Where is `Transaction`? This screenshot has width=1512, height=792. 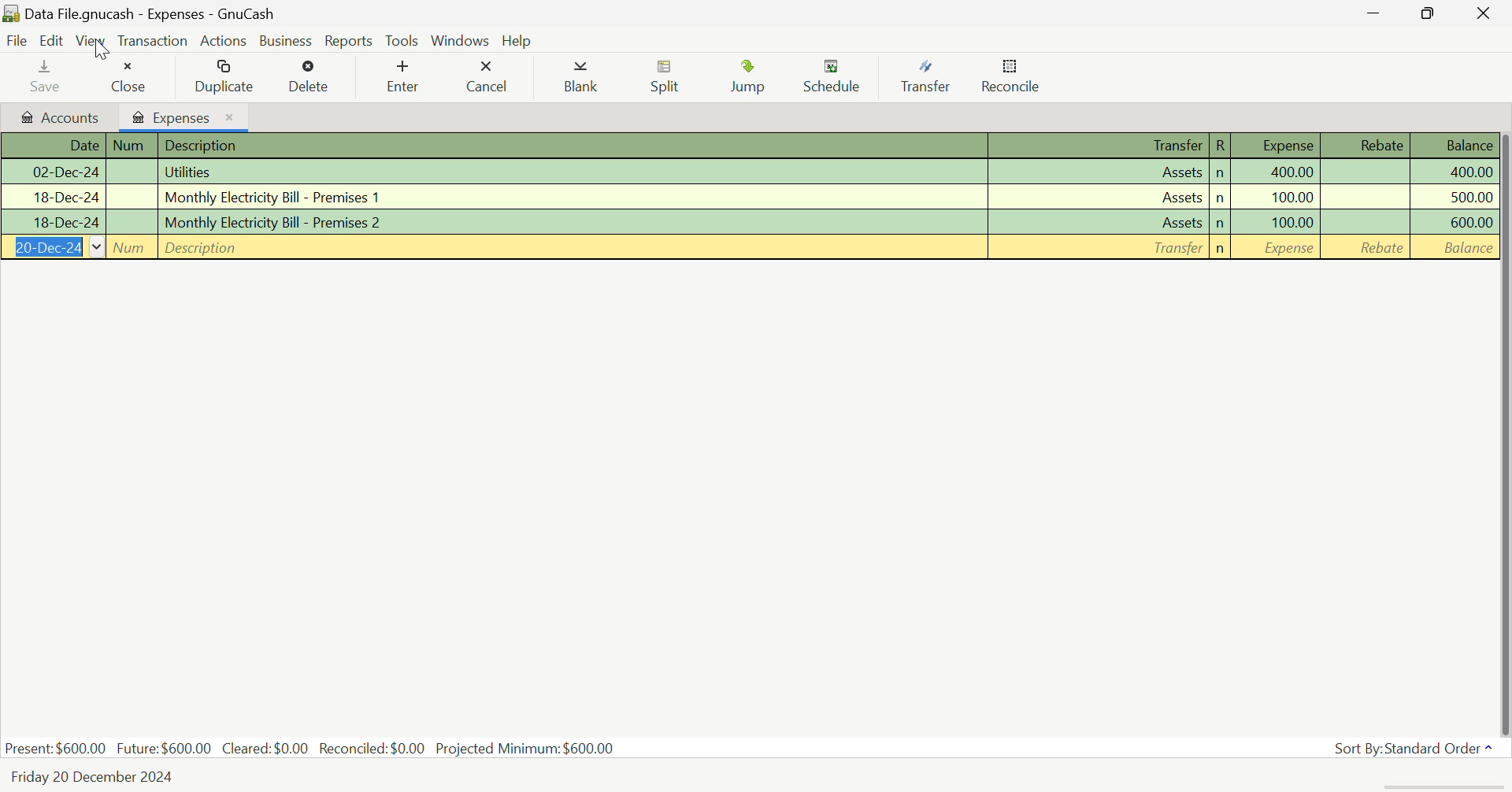
Transaction is located at coordinates (150, 41).